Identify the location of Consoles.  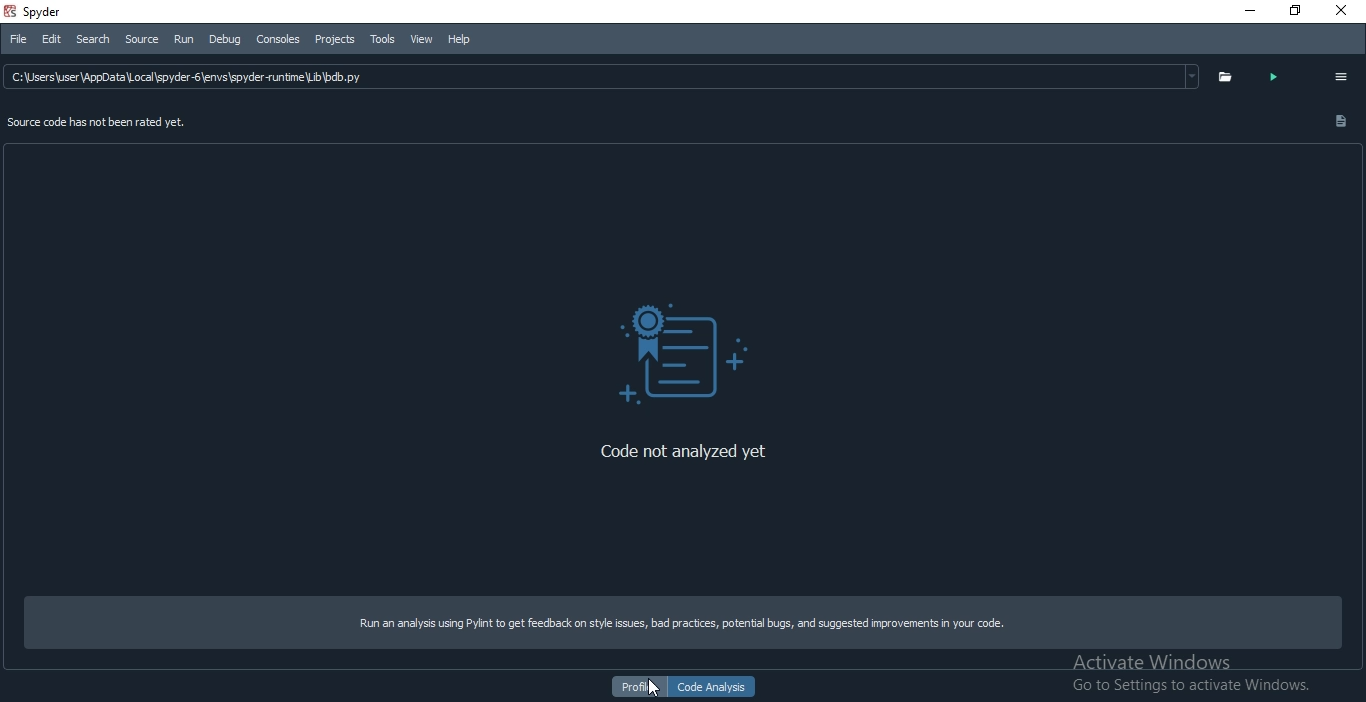
(278, 42).